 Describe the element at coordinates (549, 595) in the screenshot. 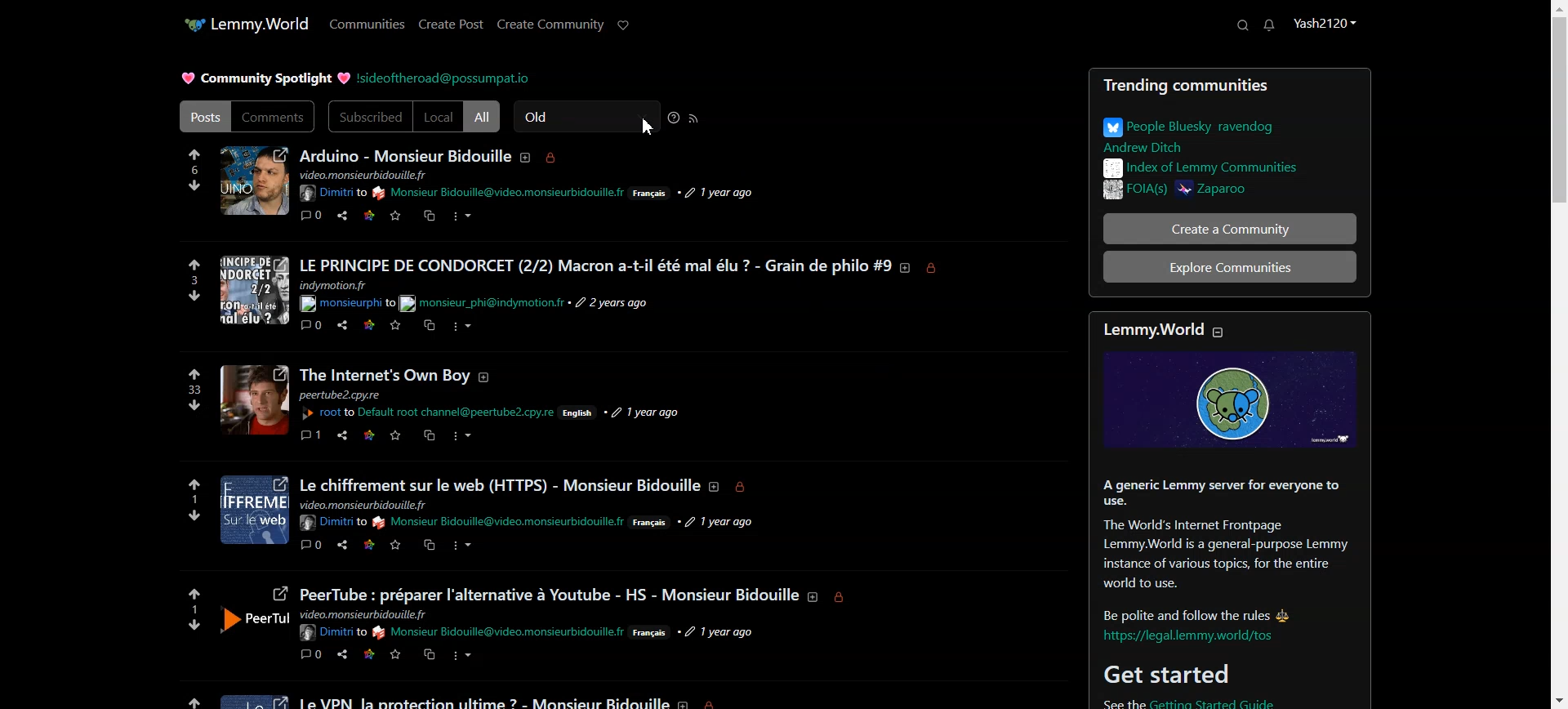

I see `` at that location.